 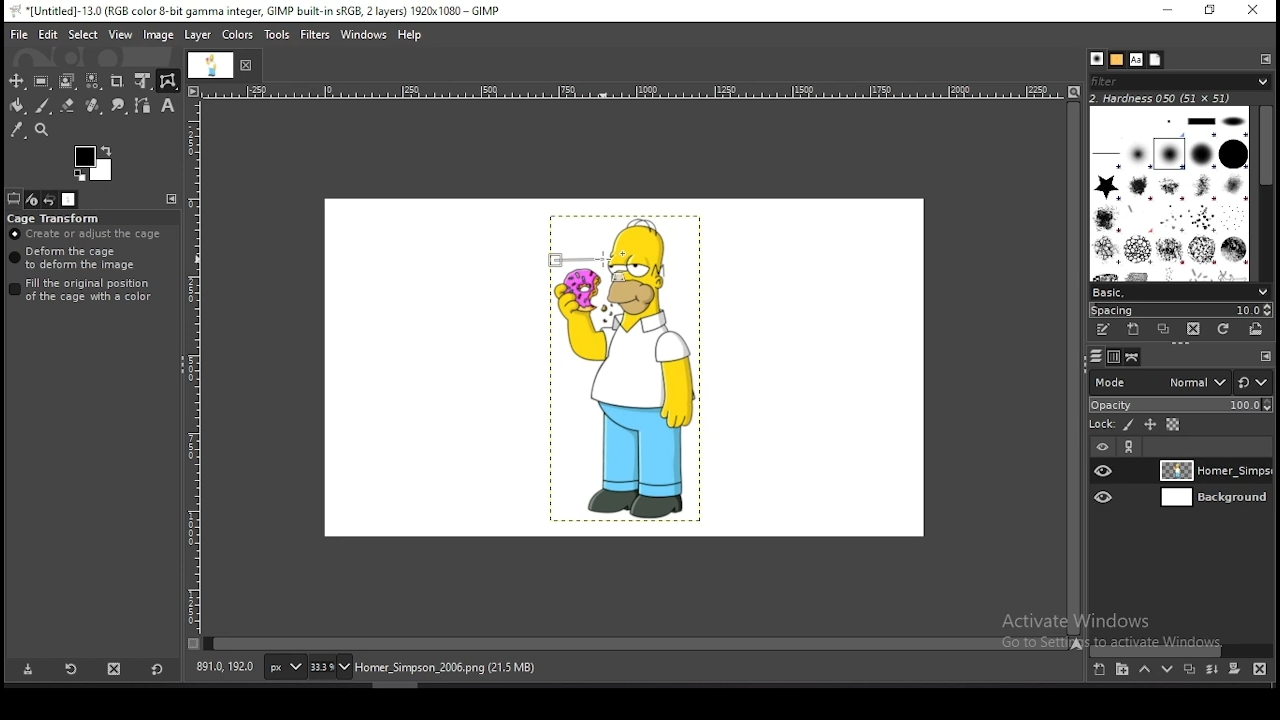 I want to click on active cage transform, so click(x=575, y=258).